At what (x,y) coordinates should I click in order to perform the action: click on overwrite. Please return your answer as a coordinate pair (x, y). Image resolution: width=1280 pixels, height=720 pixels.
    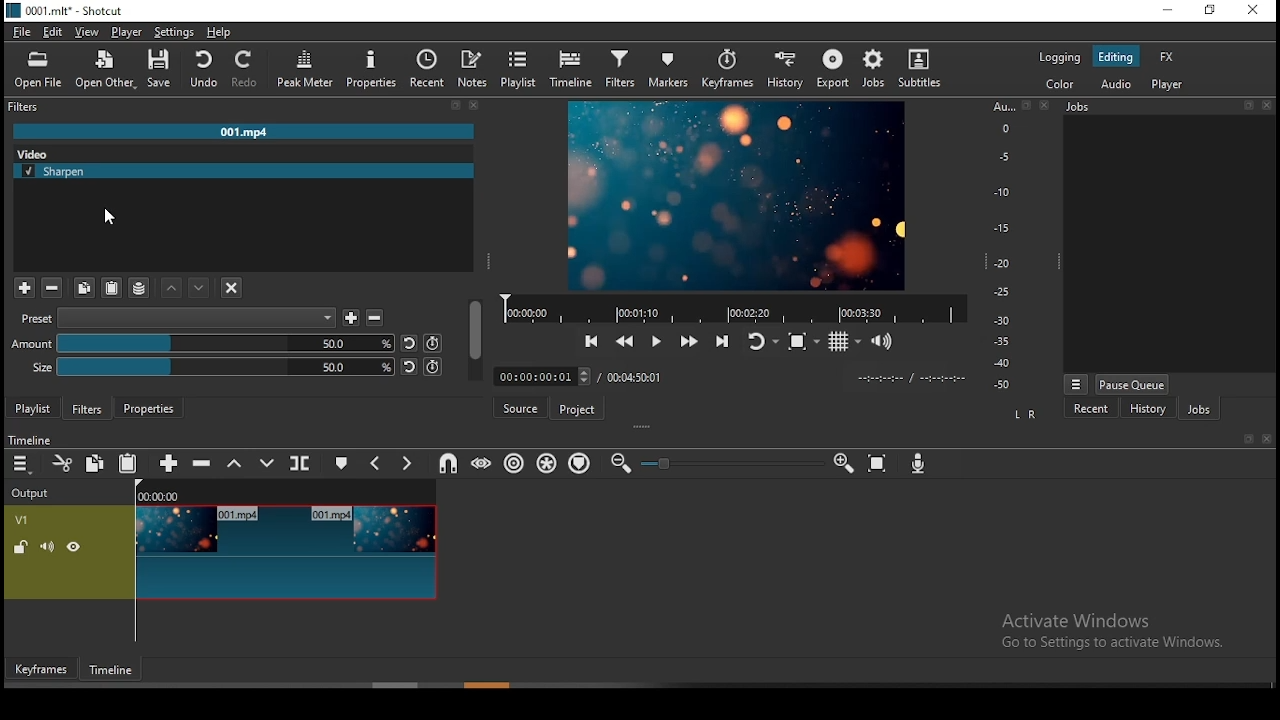
    Looking at the image, I should click on (270, 462).